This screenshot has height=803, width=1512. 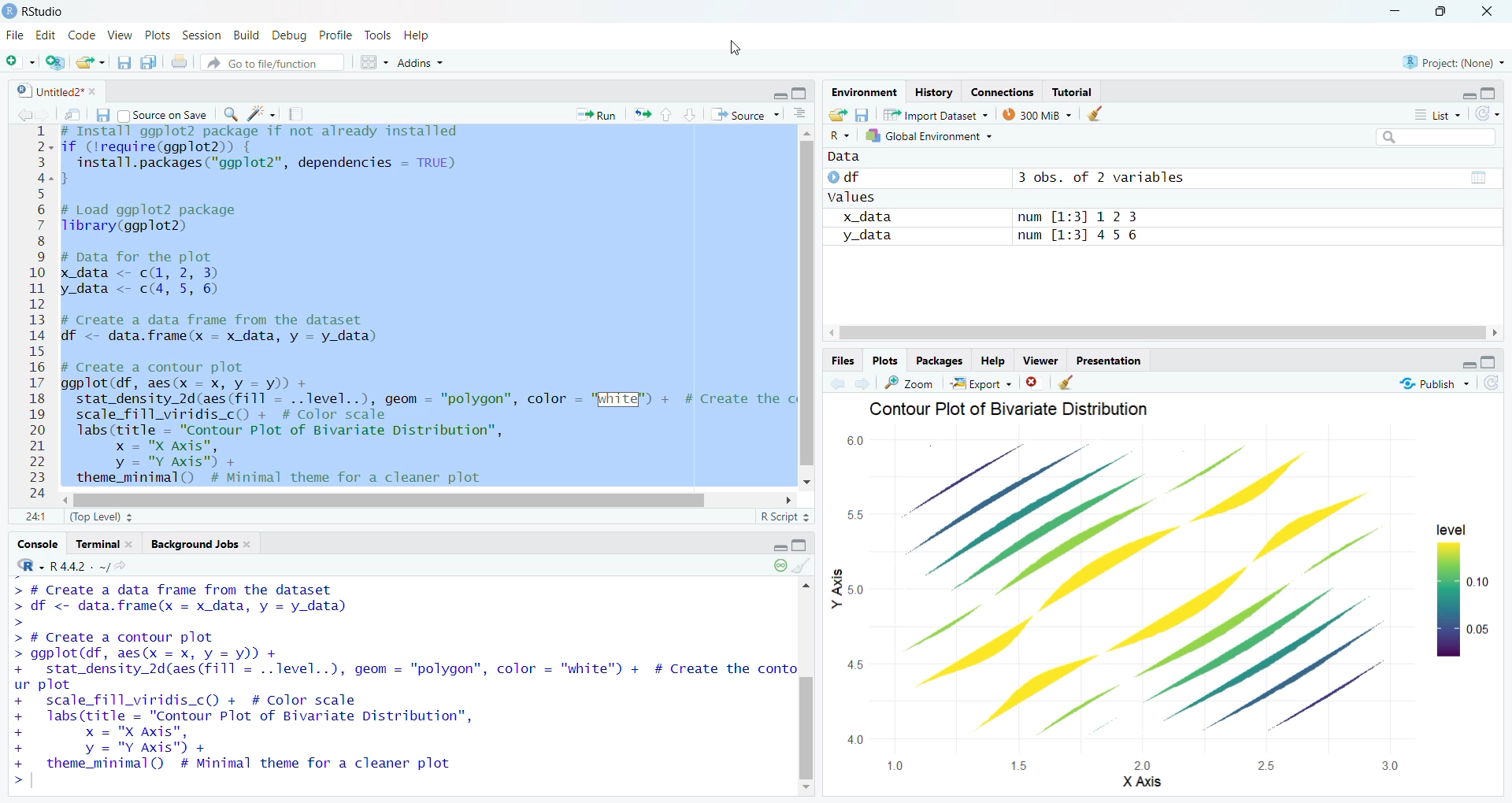 What do you see at coordinates (176, 61) in the screenshot?
I see `print the current file` at bounding box center [176, 61].